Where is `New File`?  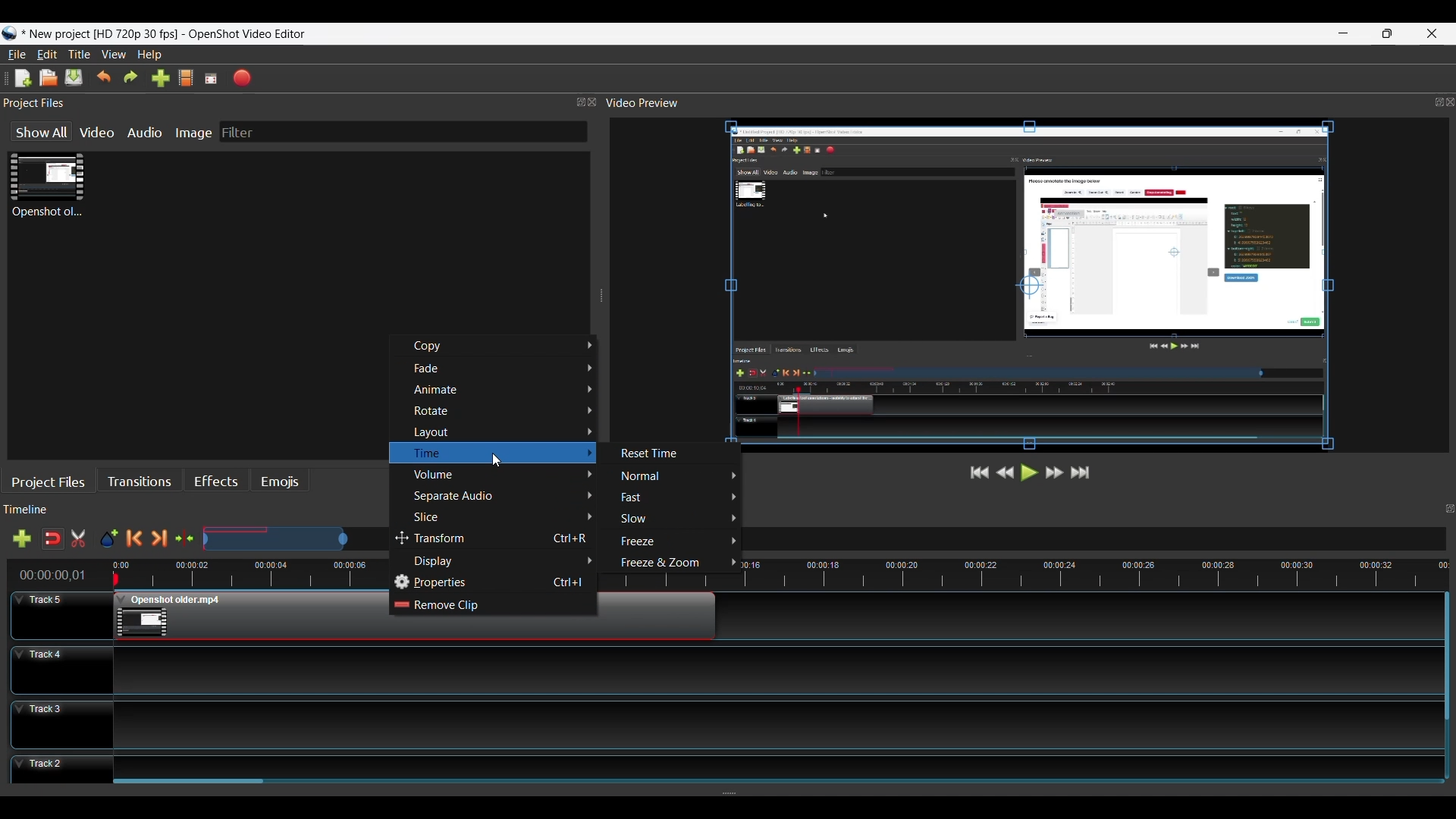 New File is located at coordinates (19, 78).